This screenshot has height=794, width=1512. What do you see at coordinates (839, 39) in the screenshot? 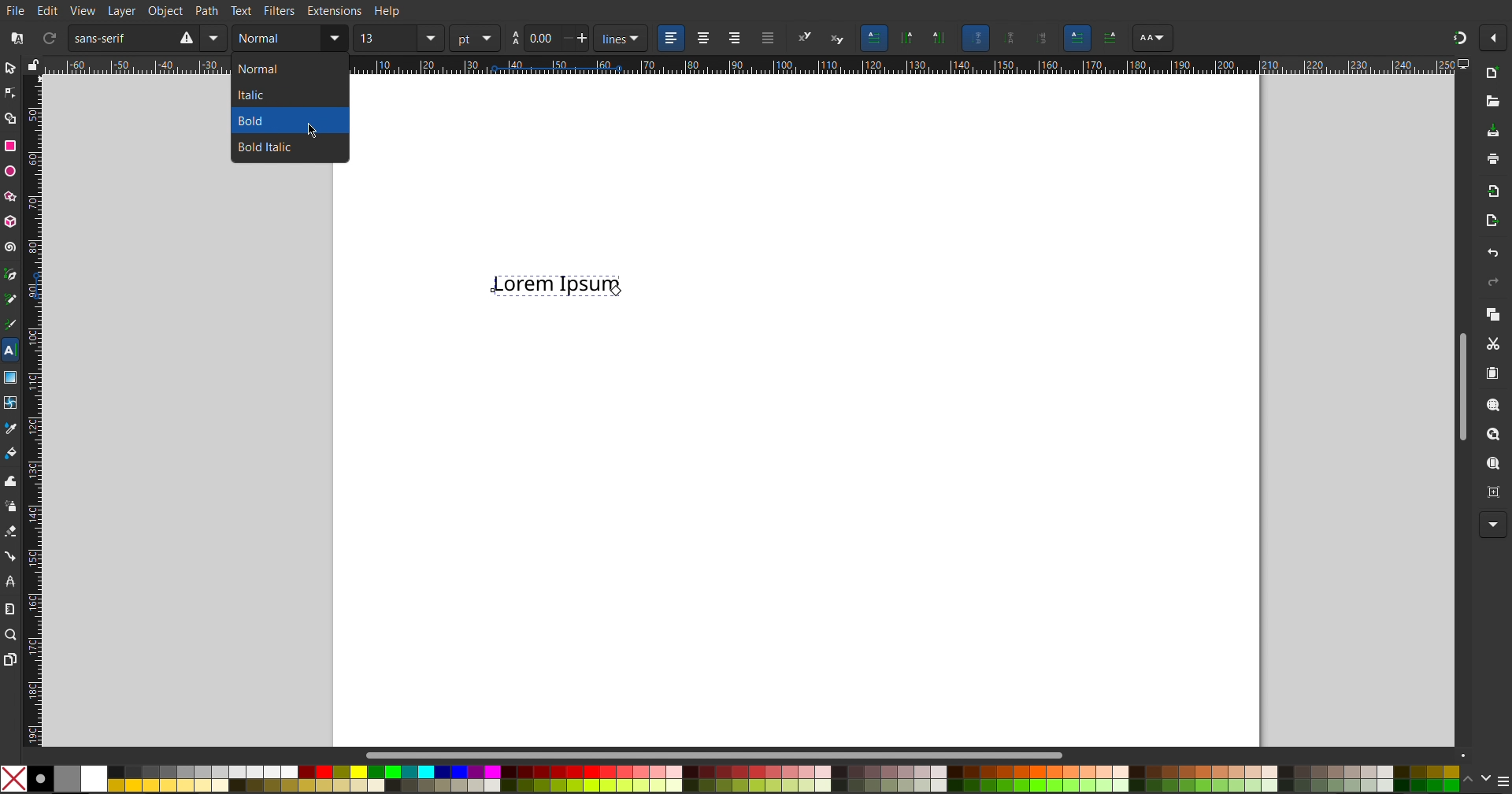
I see `subscript` at bounding box center [839, 39].